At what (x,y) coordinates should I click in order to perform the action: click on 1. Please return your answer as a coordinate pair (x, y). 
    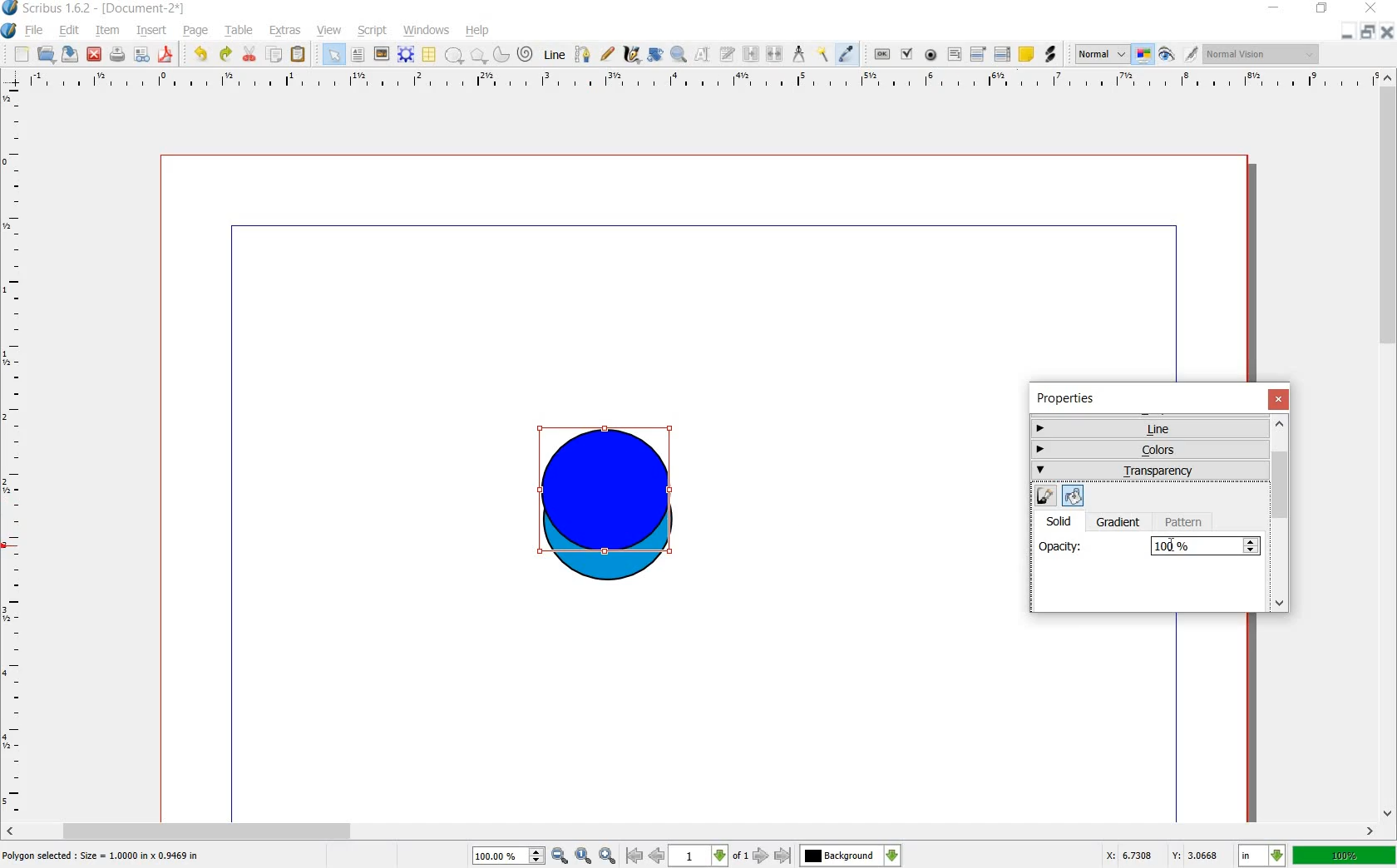
    Looking at the image, I should click on (698, 856).